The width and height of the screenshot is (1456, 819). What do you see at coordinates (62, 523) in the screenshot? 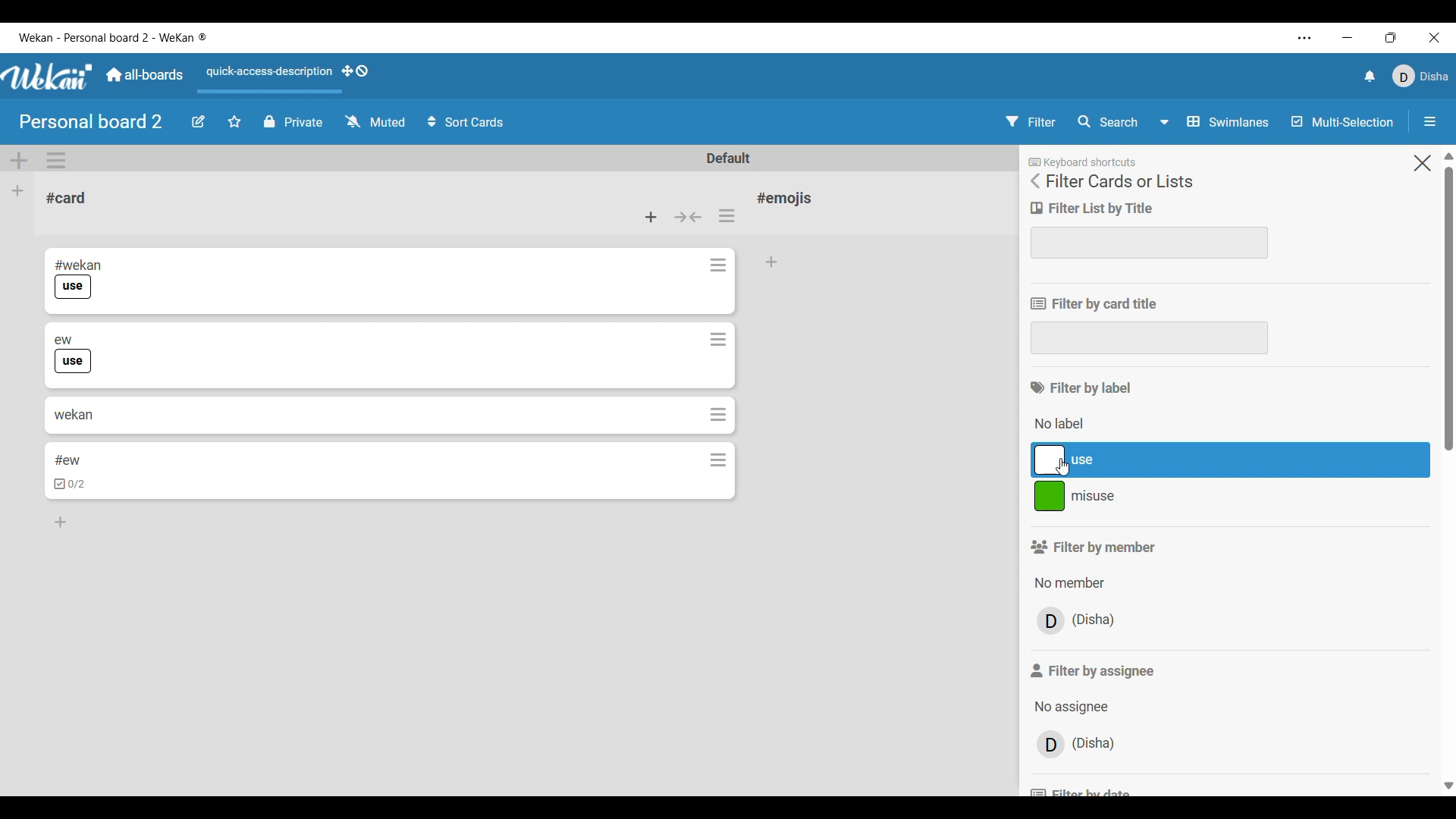
I see `Add card to bottom of list` at bounding box center [62, 523].